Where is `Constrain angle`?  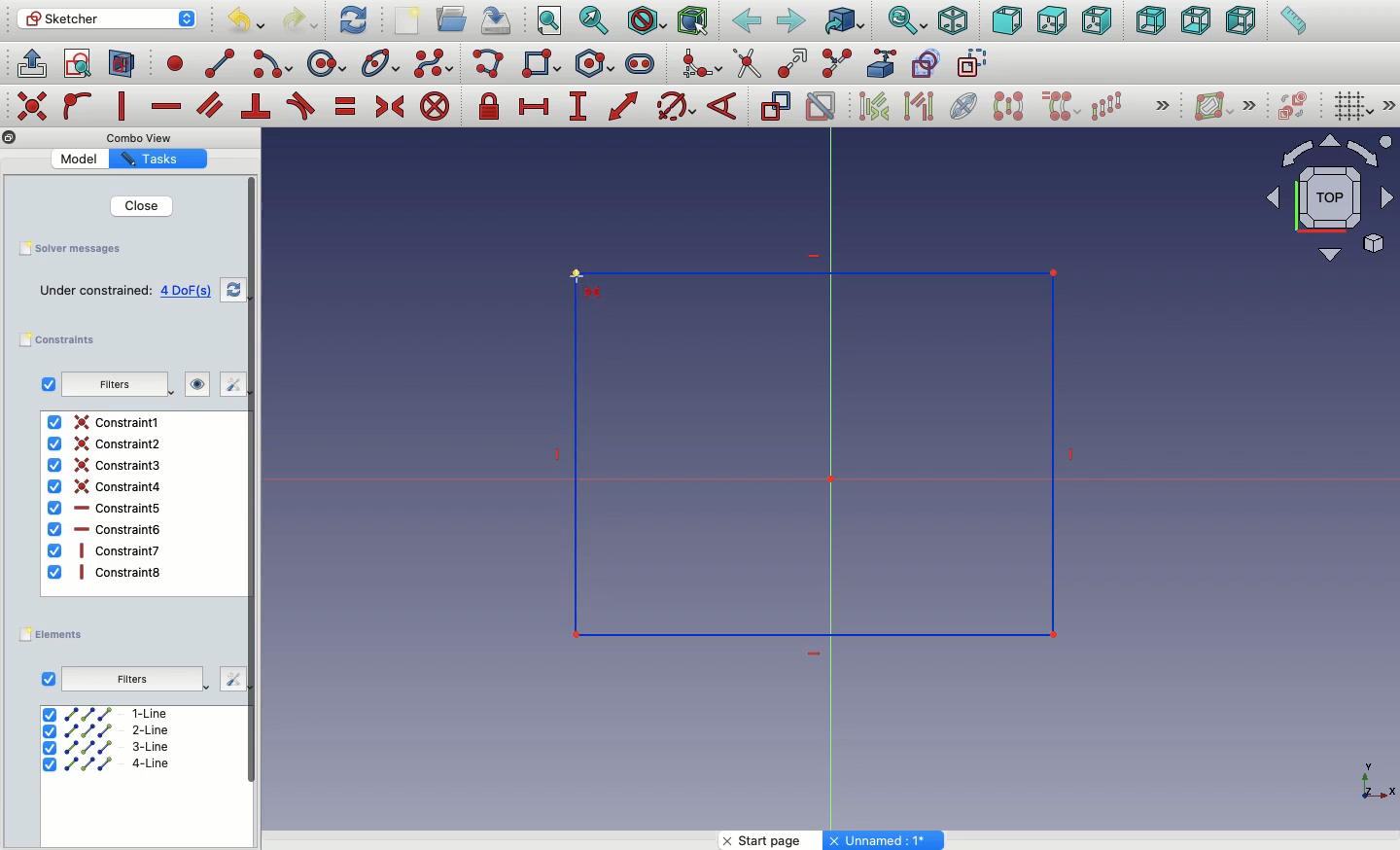 Constrain angle is located at coordinates (722, 106).